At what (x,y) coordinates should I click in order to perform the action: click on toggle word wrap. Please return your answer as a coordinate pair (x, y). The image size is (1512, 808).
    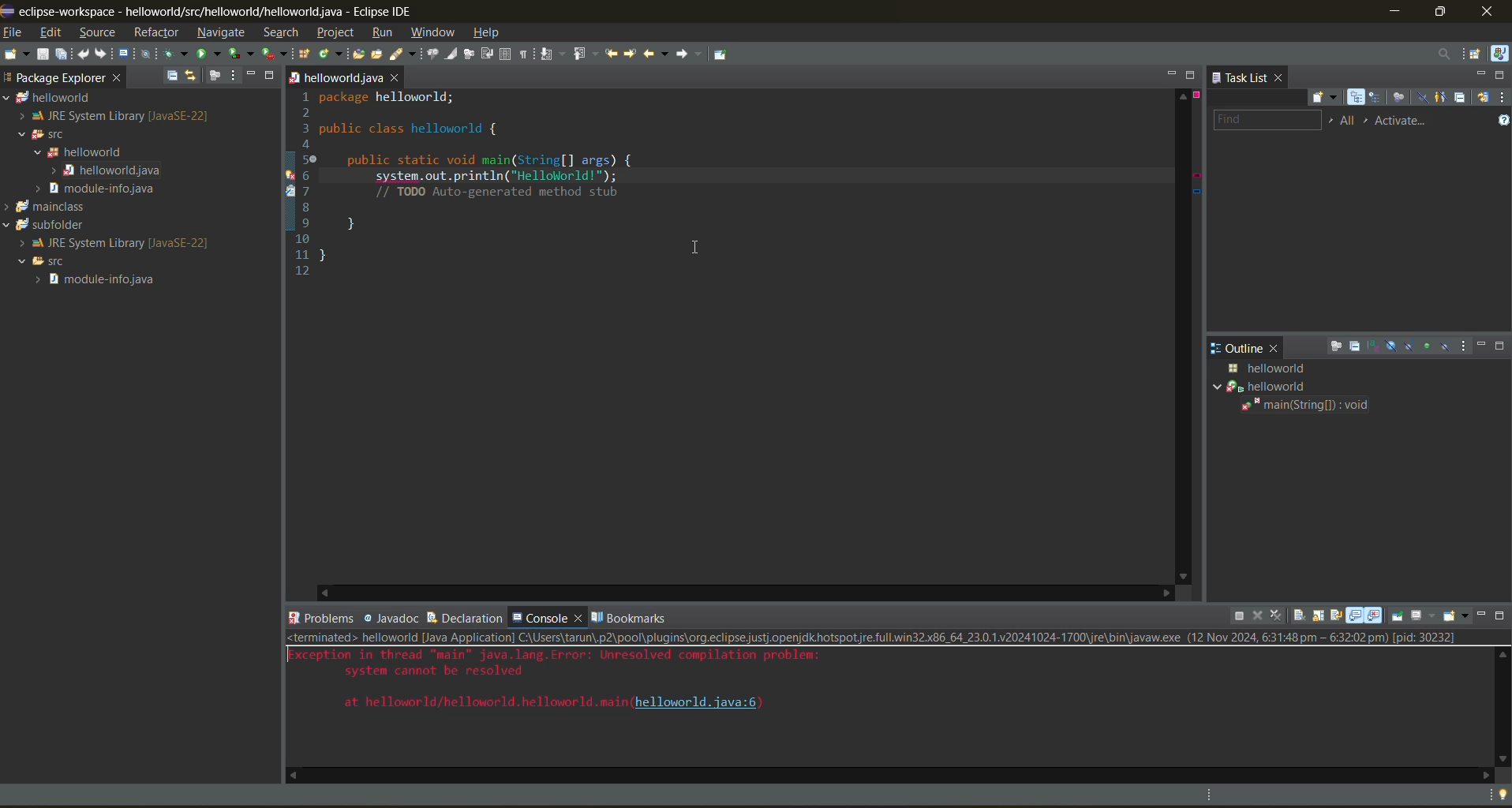
    Looking at the image, I should click on (485, 54).